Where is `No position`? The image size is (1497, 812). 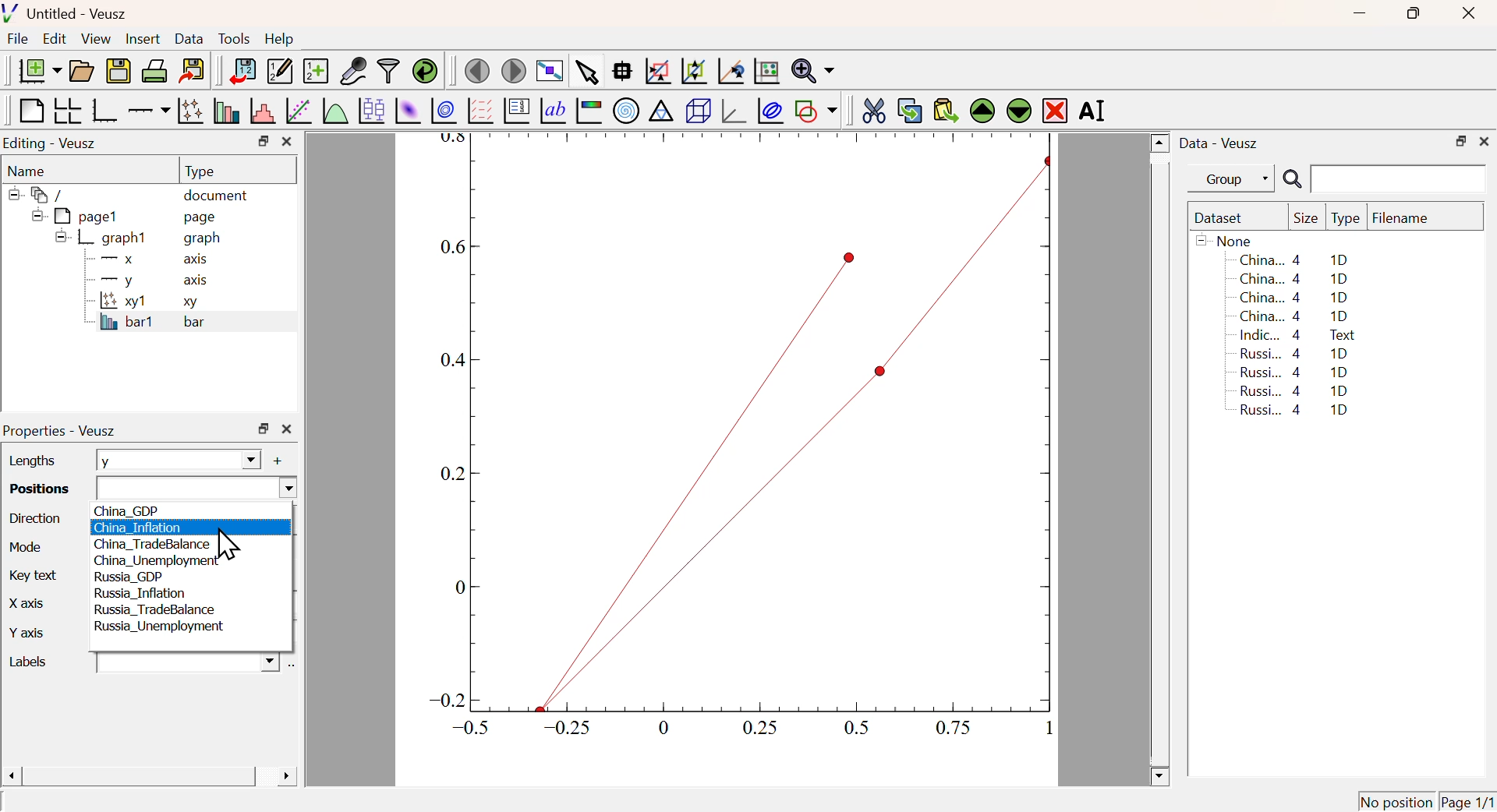 No position is located at coordinates (1396, 801).